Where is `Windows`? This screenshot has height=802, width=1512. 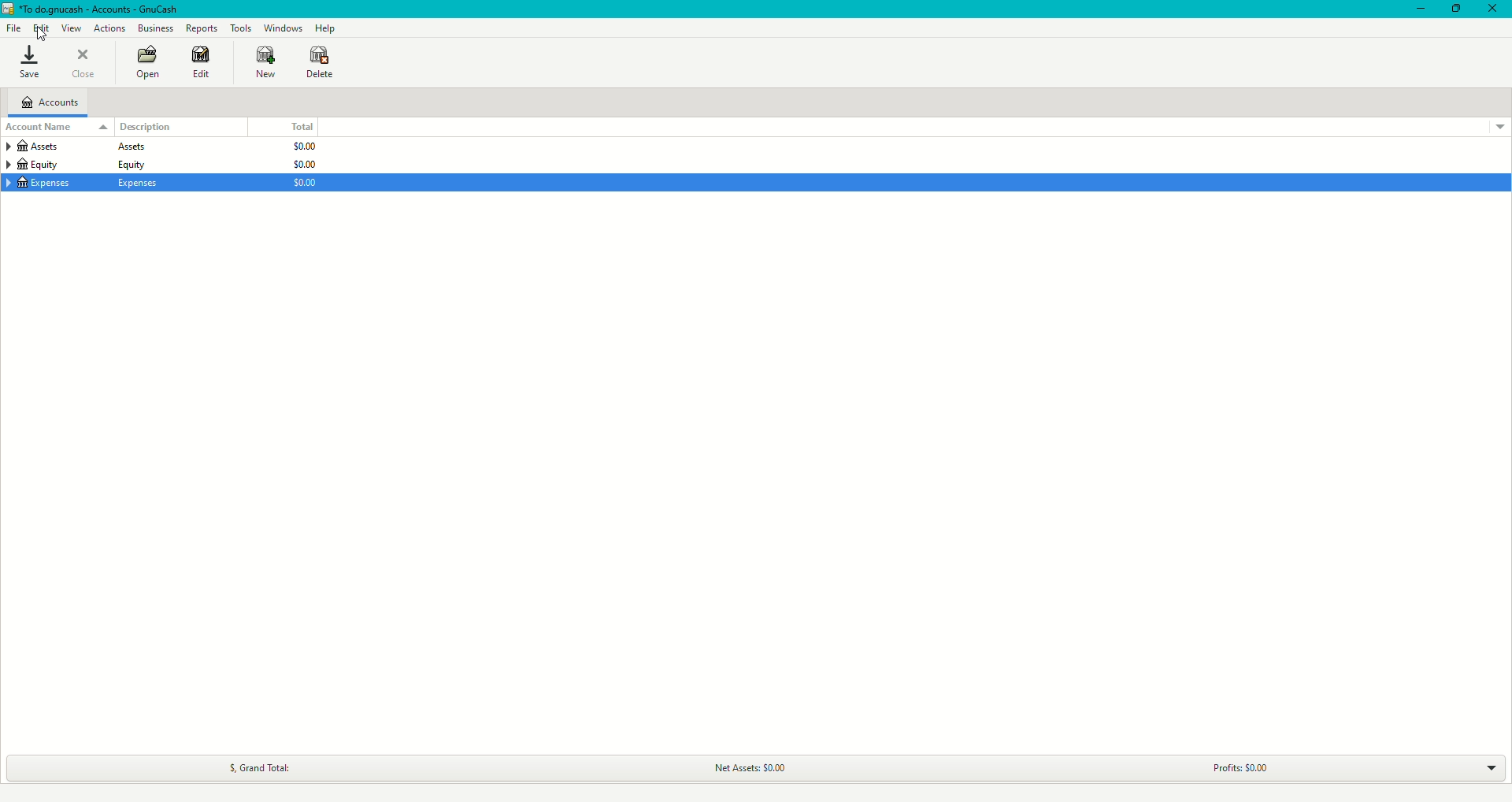
Windows is located at coordinates (283, 28).